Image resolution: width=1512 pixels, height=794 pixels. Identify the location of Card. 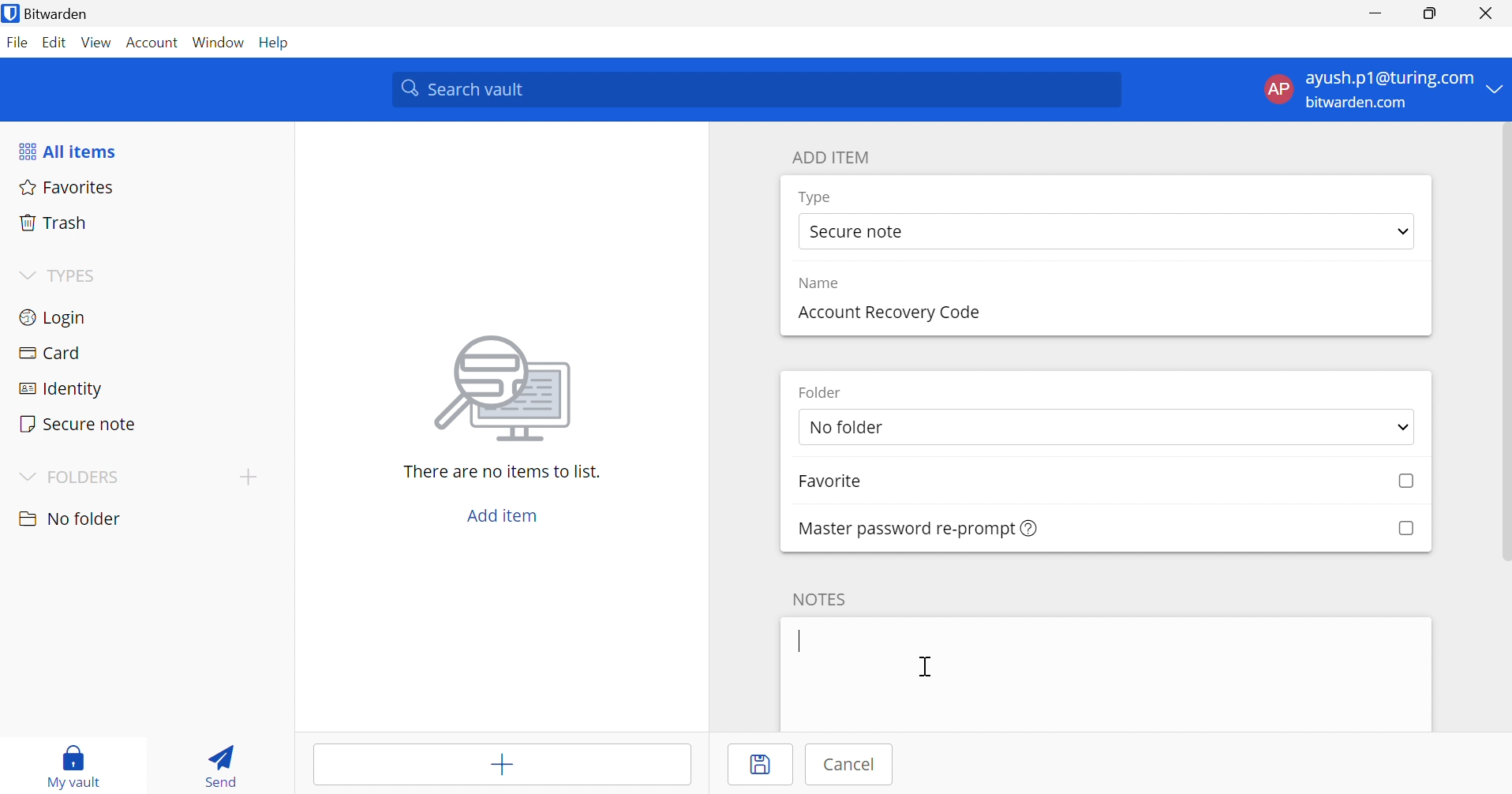
(54, 353).